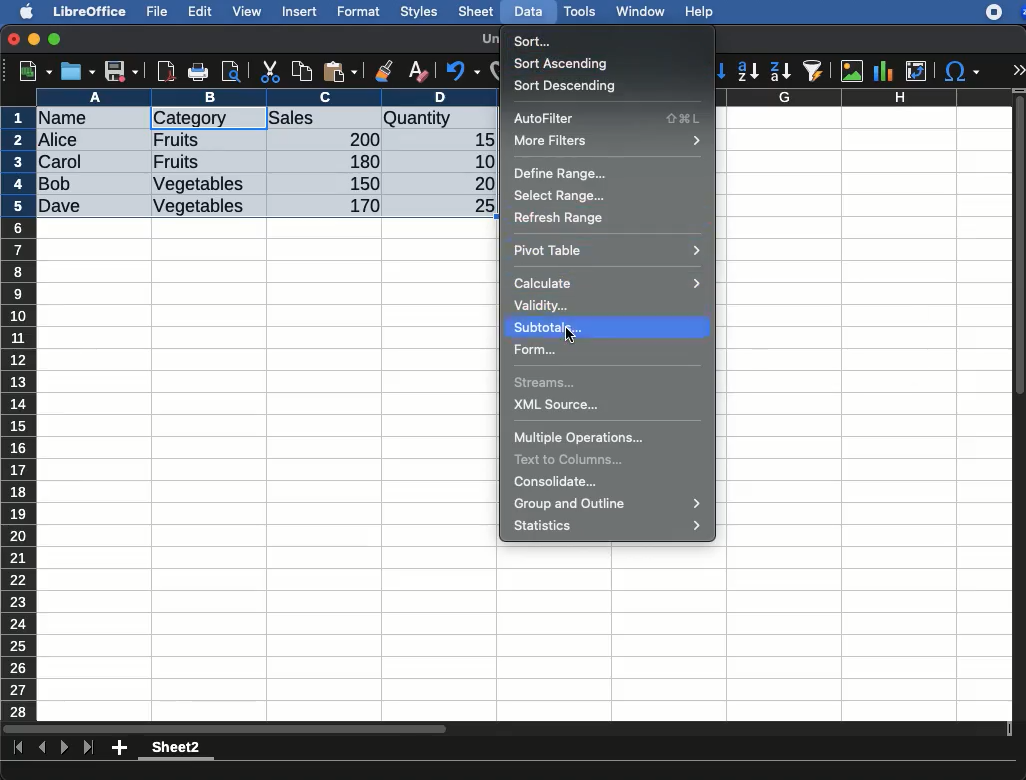 The width and height of the screenshot is (1026, 780). I want to click on pivot table, so click(916, 71).